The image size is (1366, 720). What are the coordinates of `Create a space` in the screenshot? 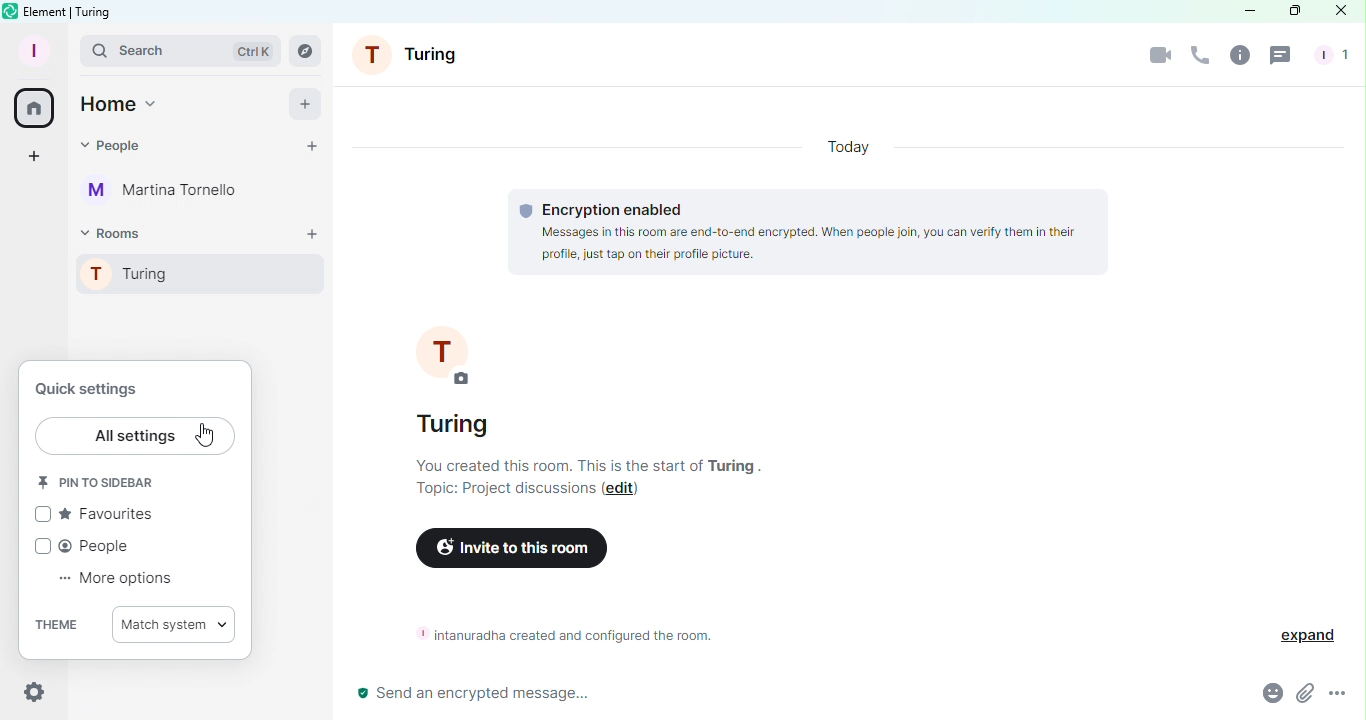 It's located at (37, 156).